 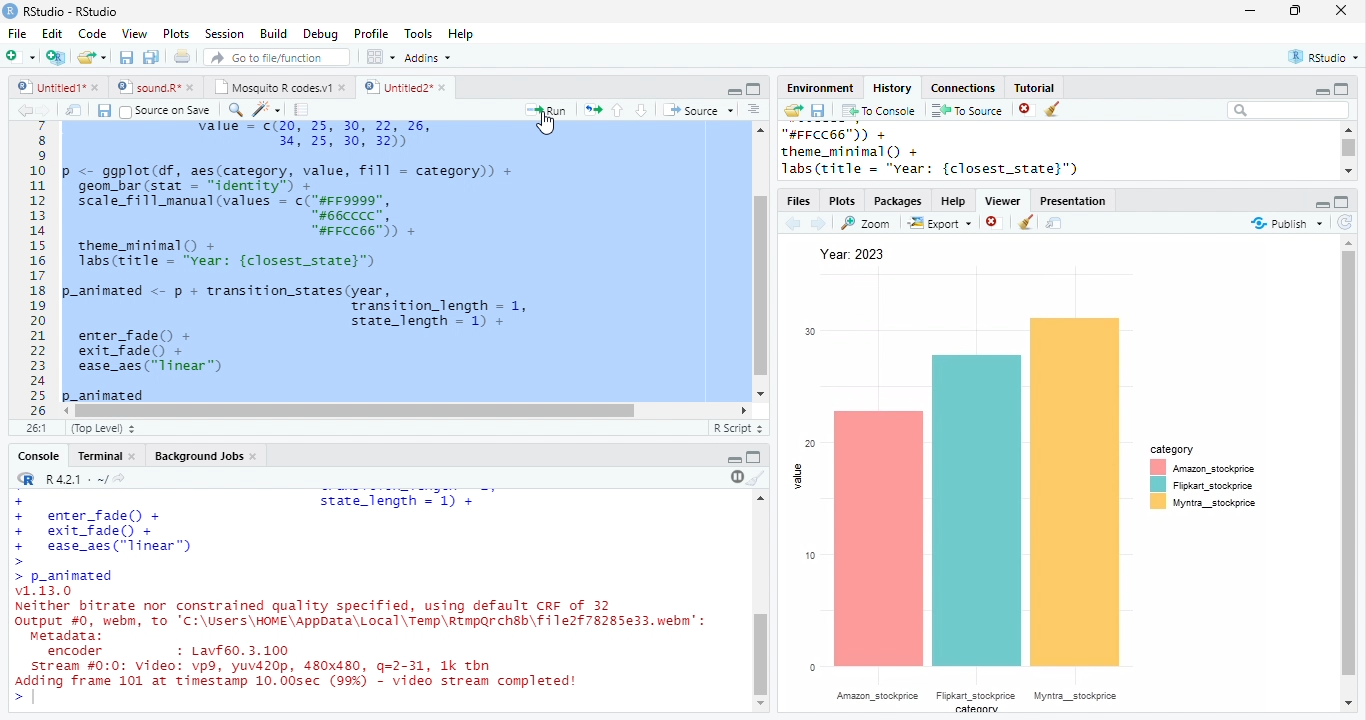 What do you see at coordinates (752, 109) in the screenshot?
I see `options` at bounding box center [752, 109].